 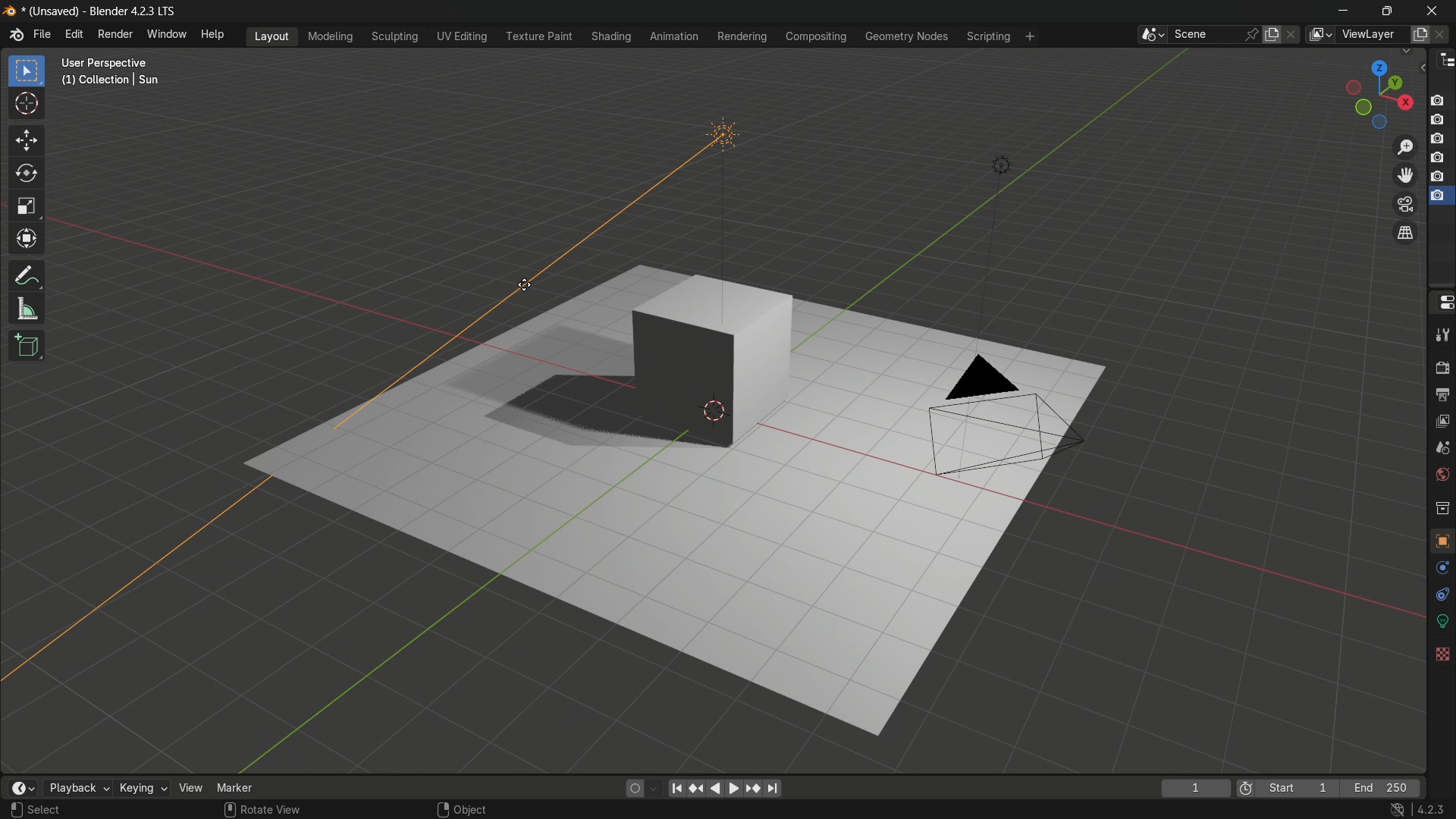 I want to click on view layer, so click(x=1443, y=422).